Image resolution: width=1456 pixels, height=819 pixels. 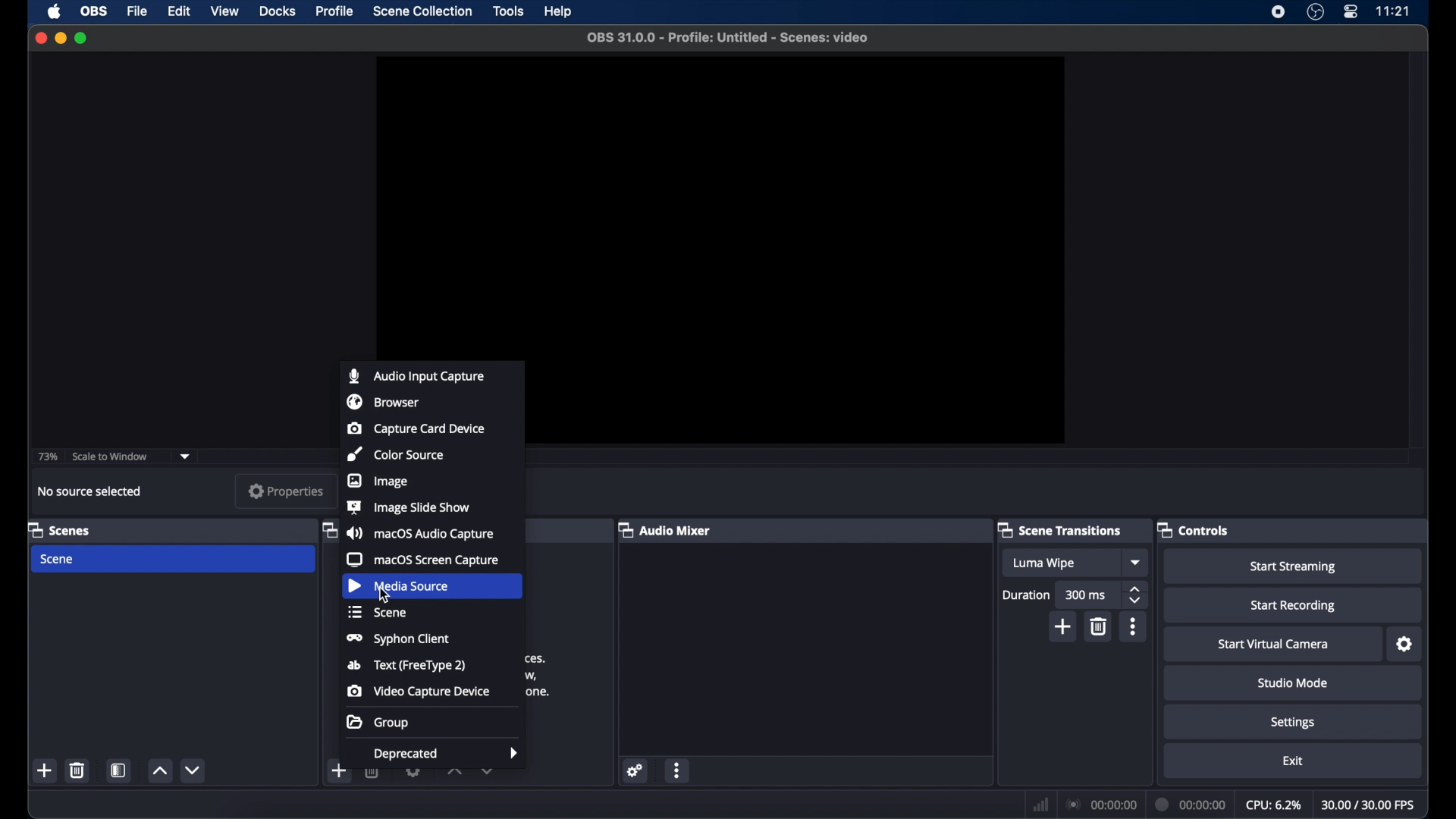 I want to click on color source, so click(x=395, y=453).